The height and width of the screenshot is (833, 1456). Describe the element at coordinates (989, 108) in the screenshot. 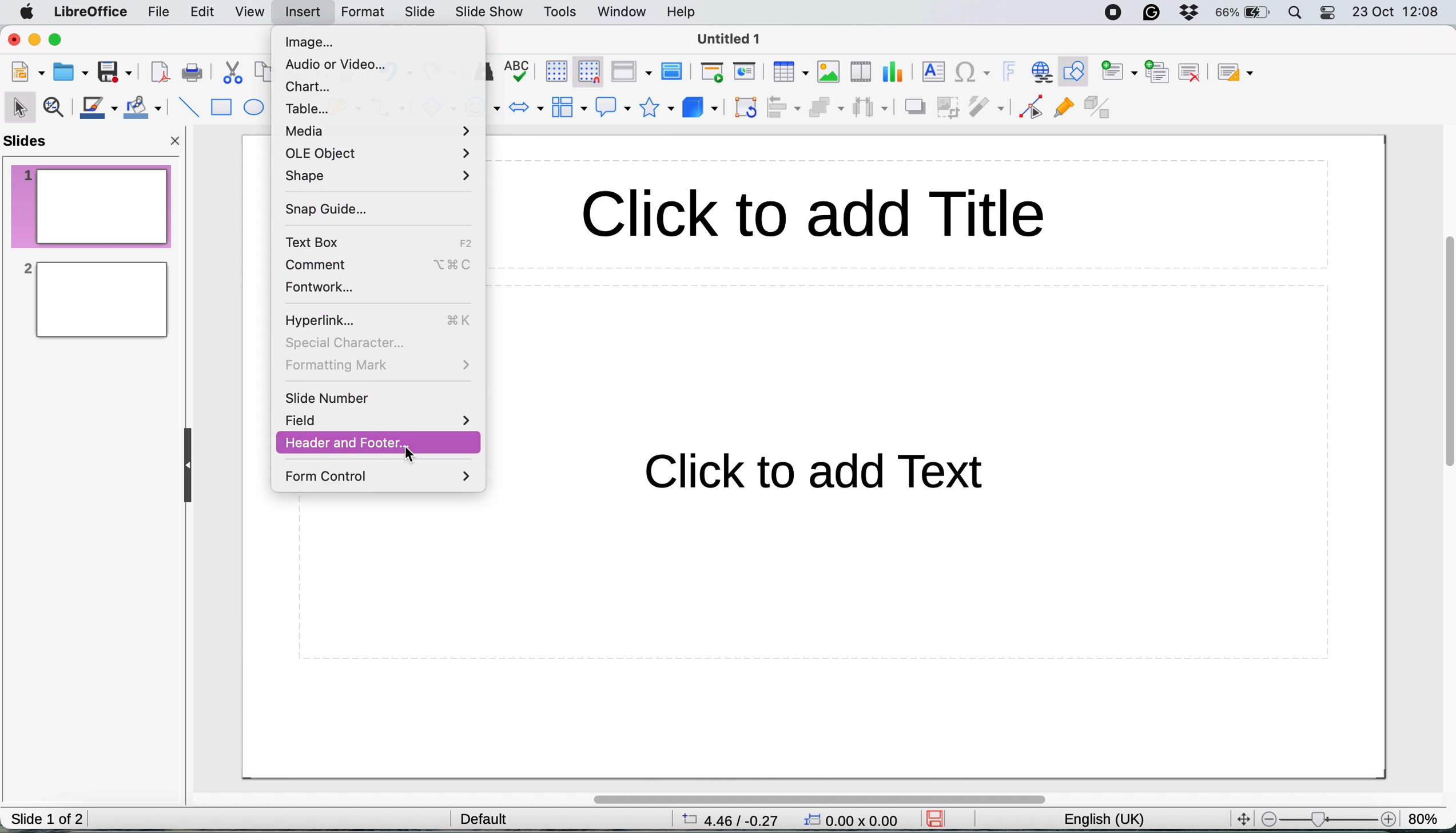

I see `filter` at that location.